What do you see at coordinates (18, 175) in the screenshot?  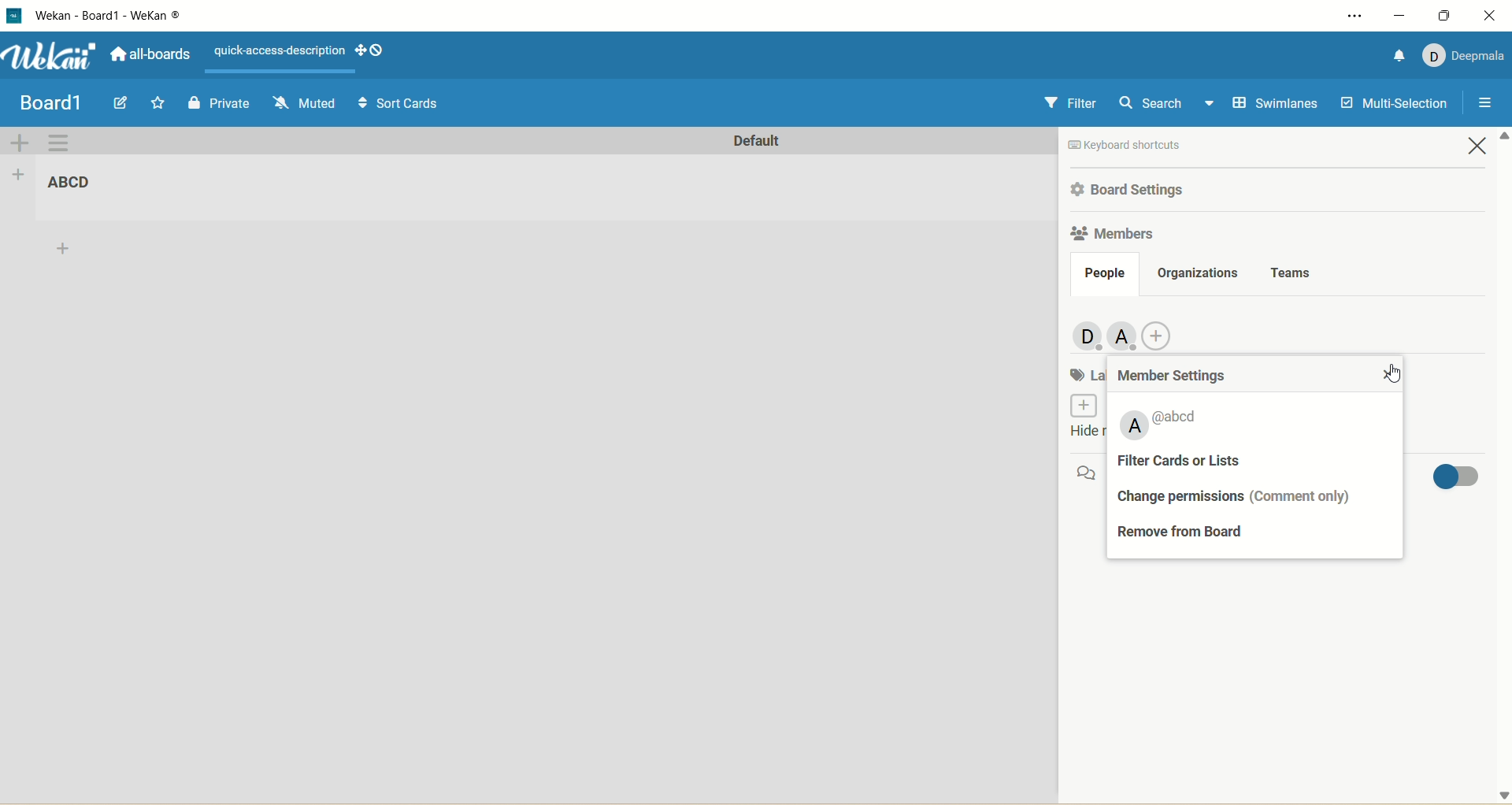 I see `add list` at bounding box center [18, 175].